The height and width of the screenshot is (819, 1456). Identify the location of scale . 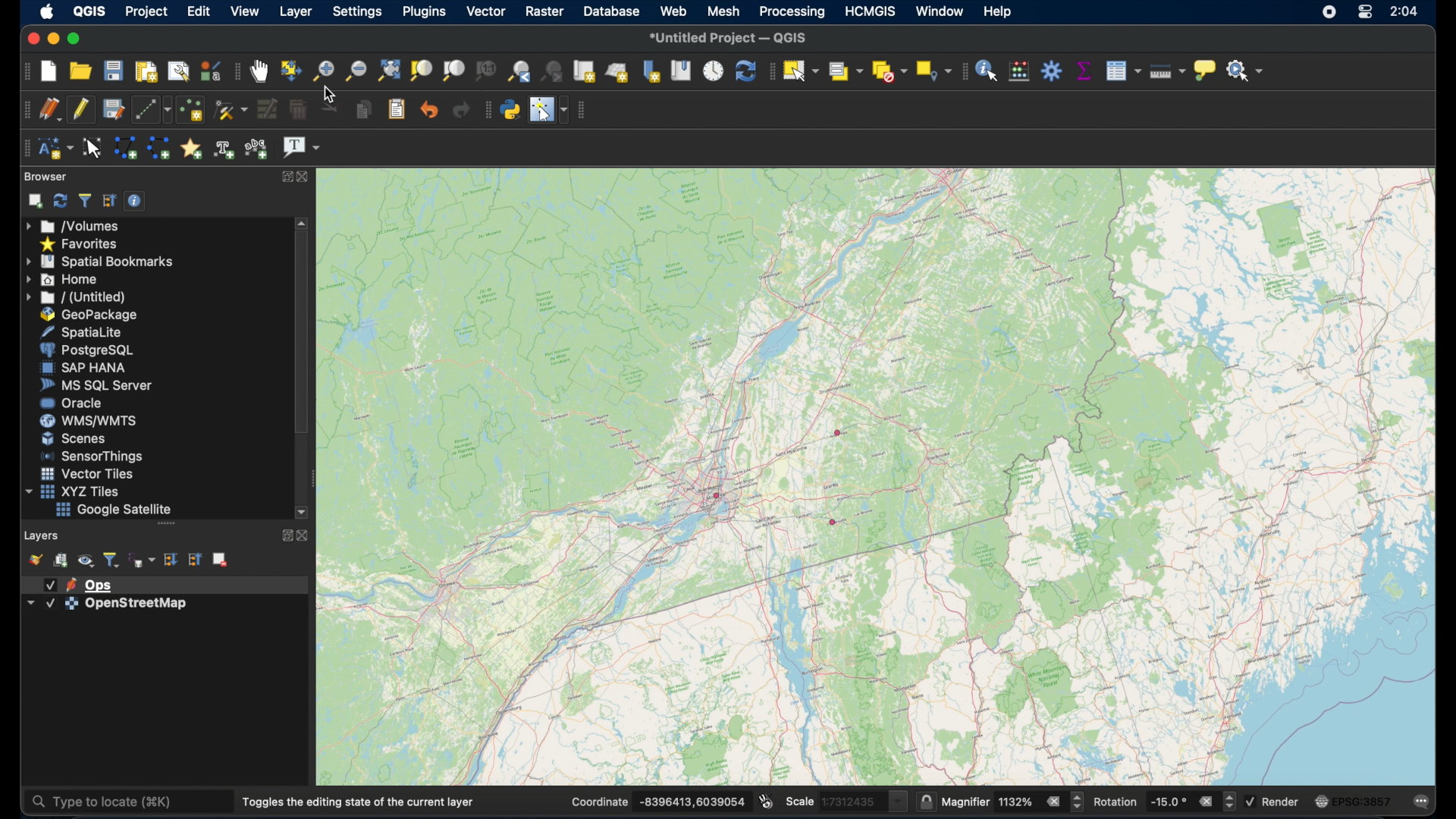
(843, 802).